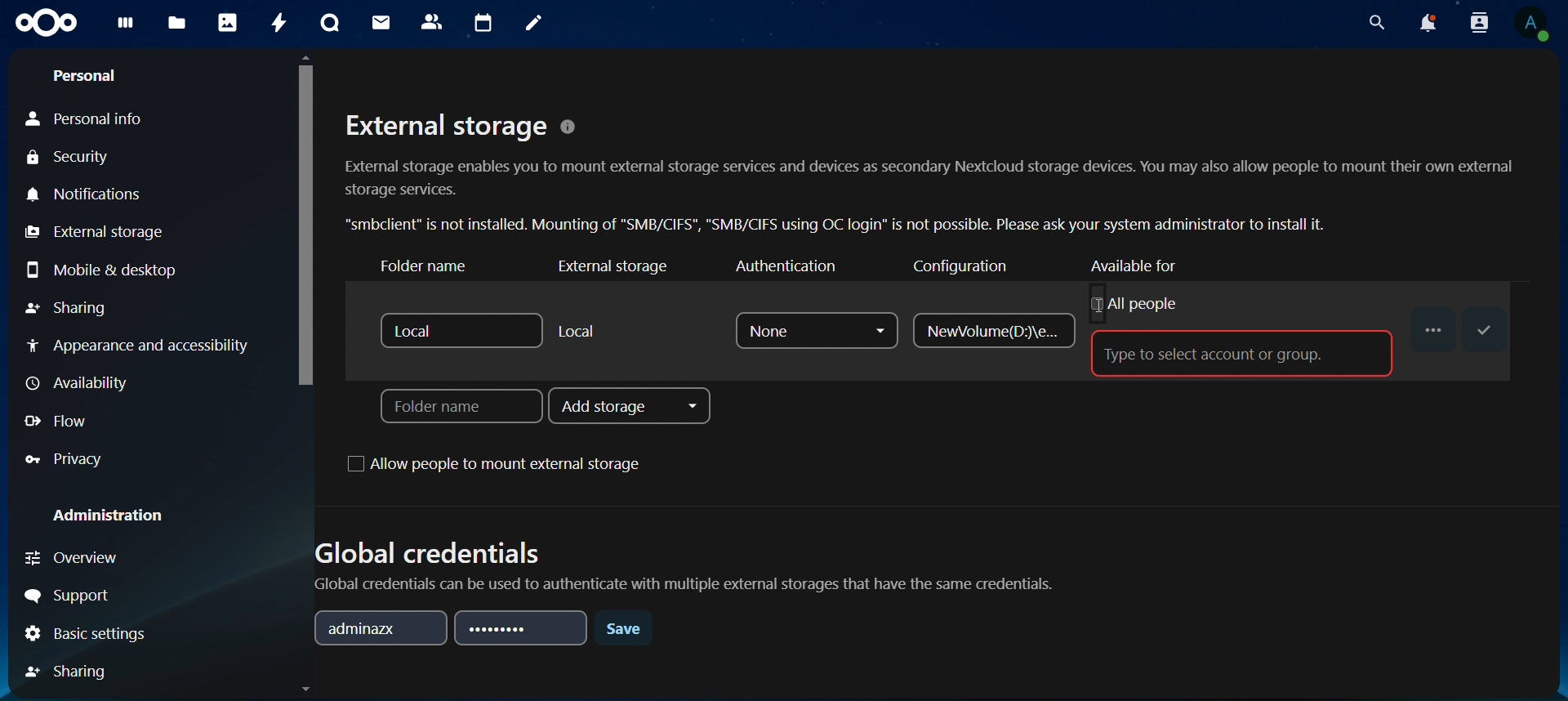 Image resolution: width=1568 pixels, height=701 pixels. I want to click on personal, so click(87, 73).